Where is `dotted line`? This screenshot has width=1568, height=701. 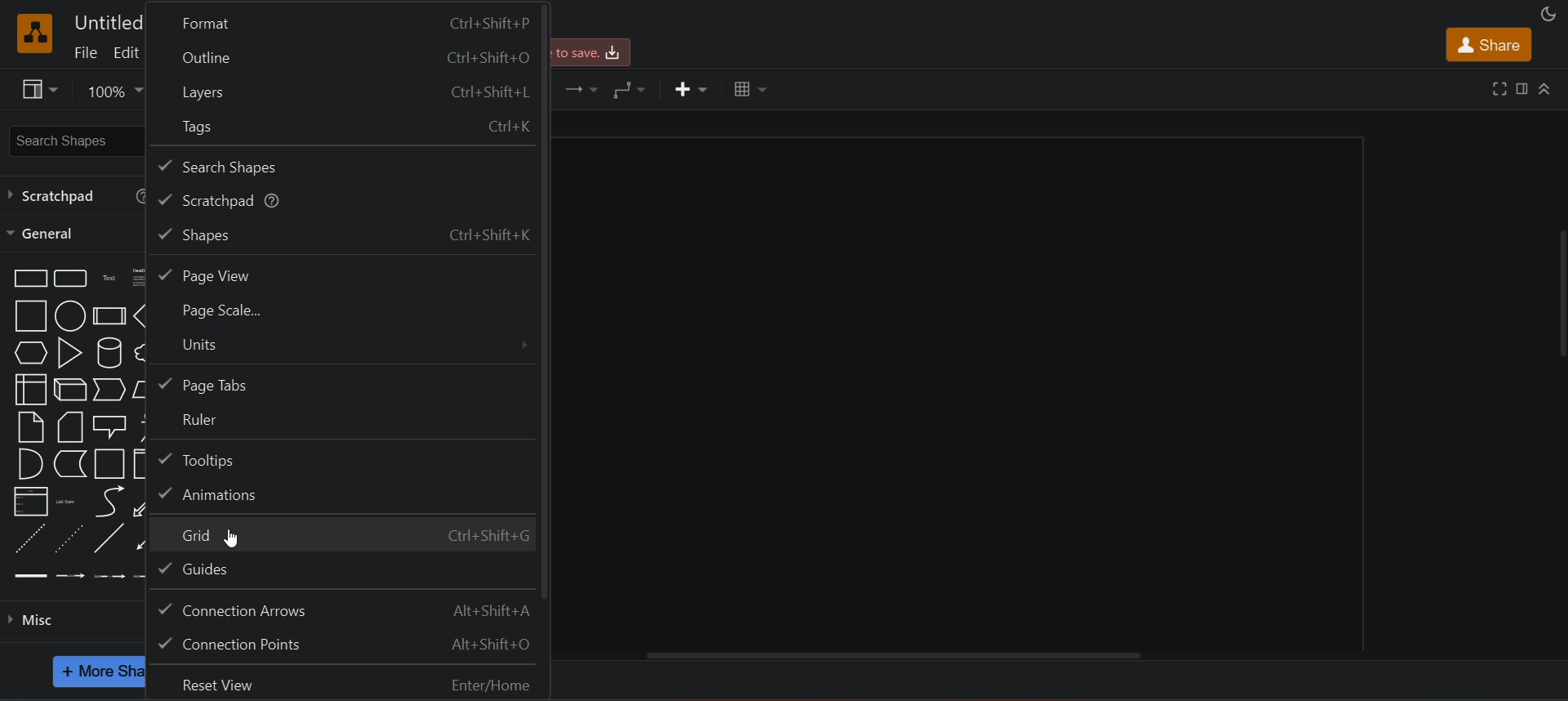
dotted line is located at coordinates (71, 538).